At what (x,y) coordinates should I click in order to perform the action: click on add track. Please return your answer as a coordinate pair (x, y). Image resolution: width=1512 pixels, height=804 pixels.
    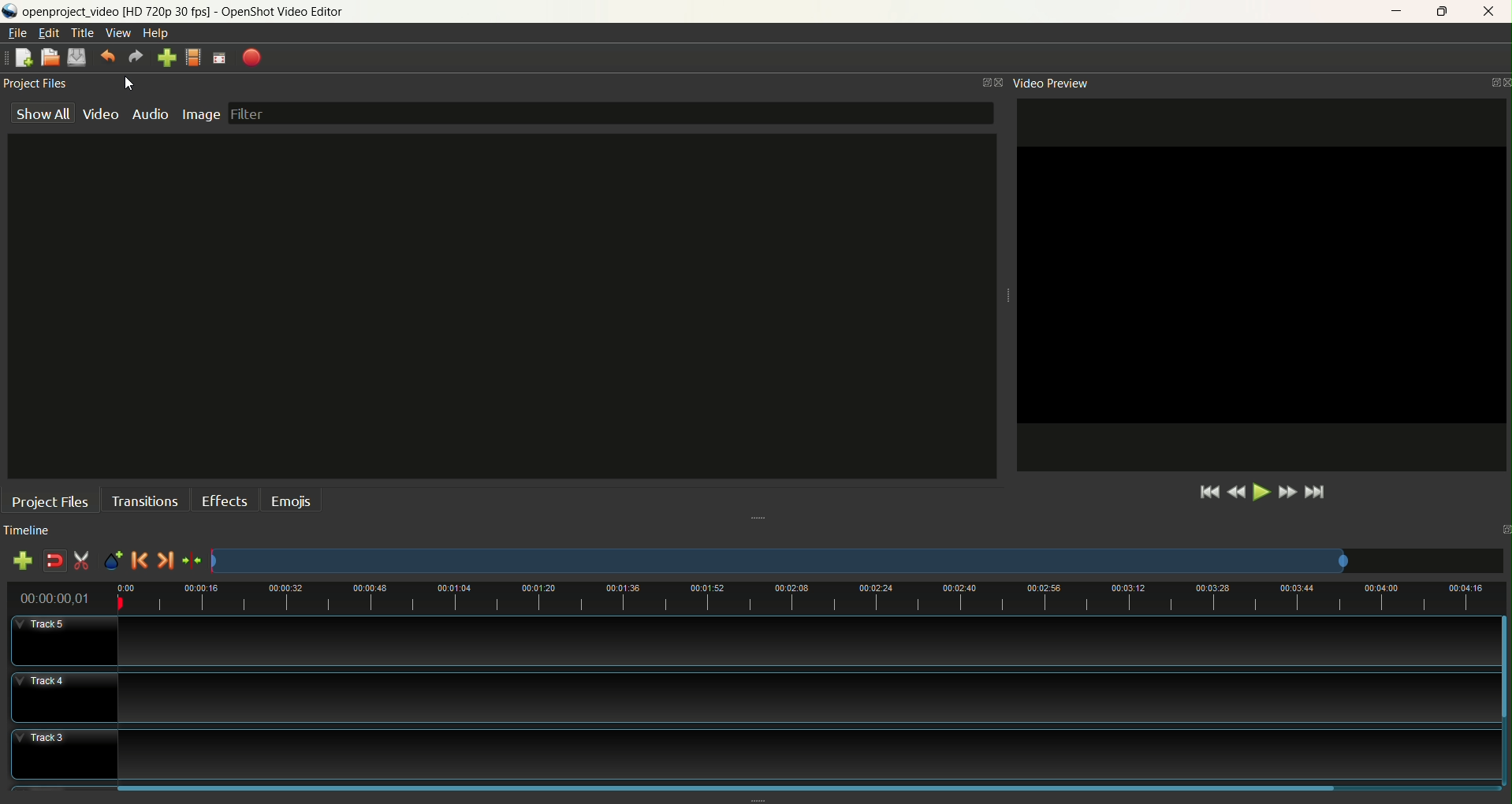
    Looking at the image, I should click on (21, 562).